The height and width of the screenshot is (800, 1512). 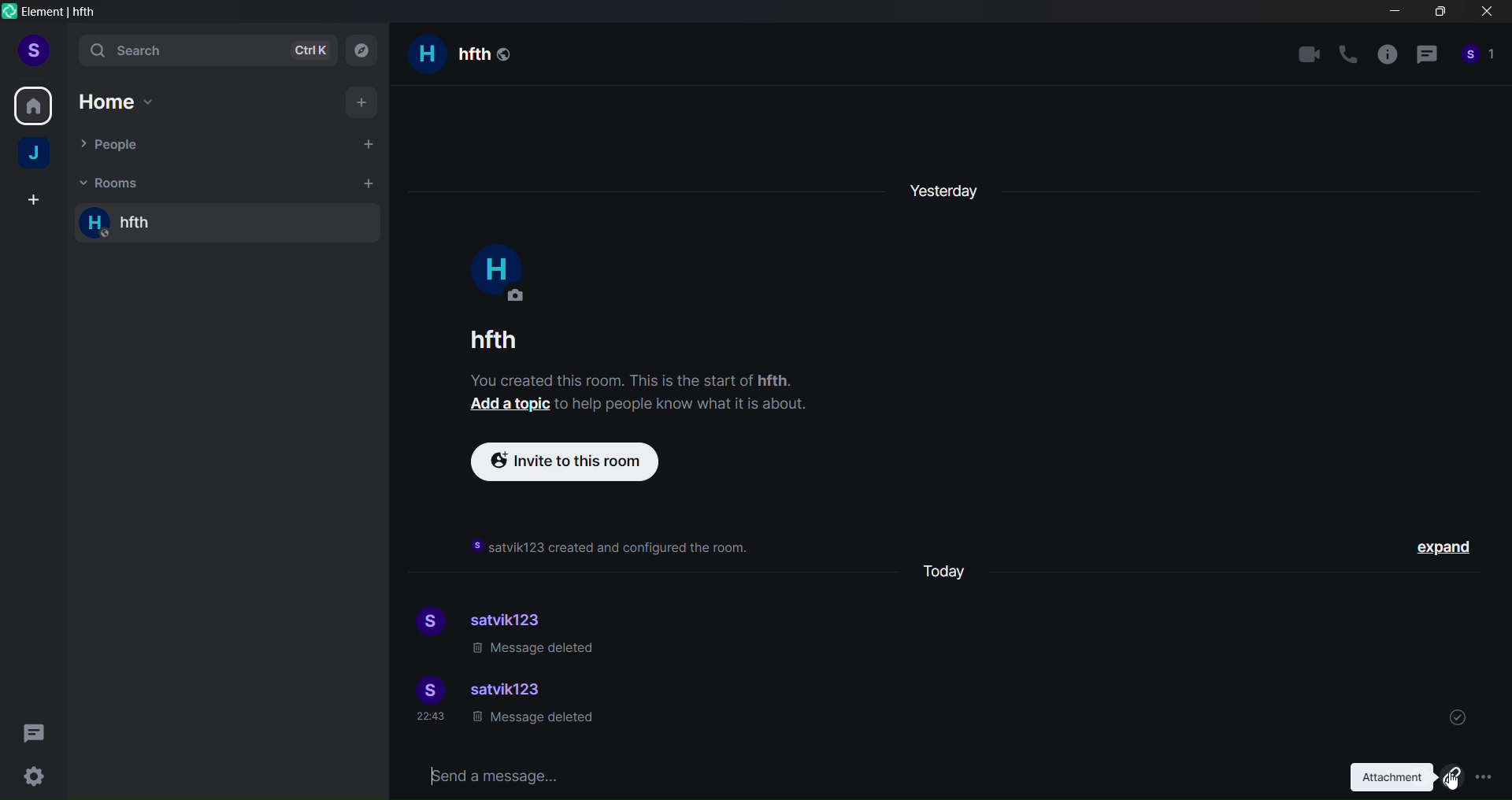 What do you see at coordinates (946, 186) in the screenshot?
I see `yesterday` at bounding box center [946, 186].